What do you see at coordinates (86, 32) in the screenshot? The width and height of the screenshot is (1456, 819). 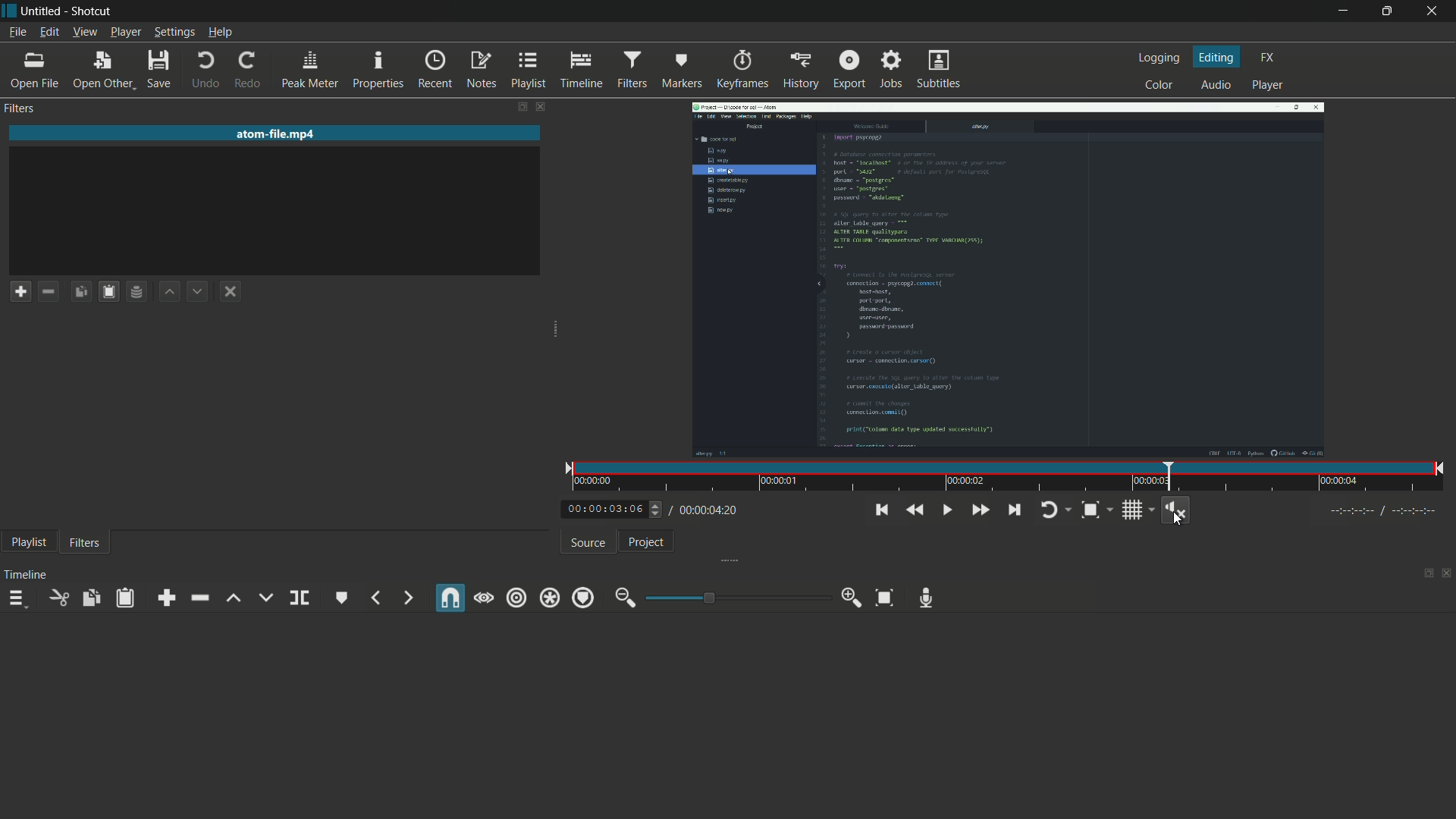 I see `view menu` at bounding box center [86, 32].